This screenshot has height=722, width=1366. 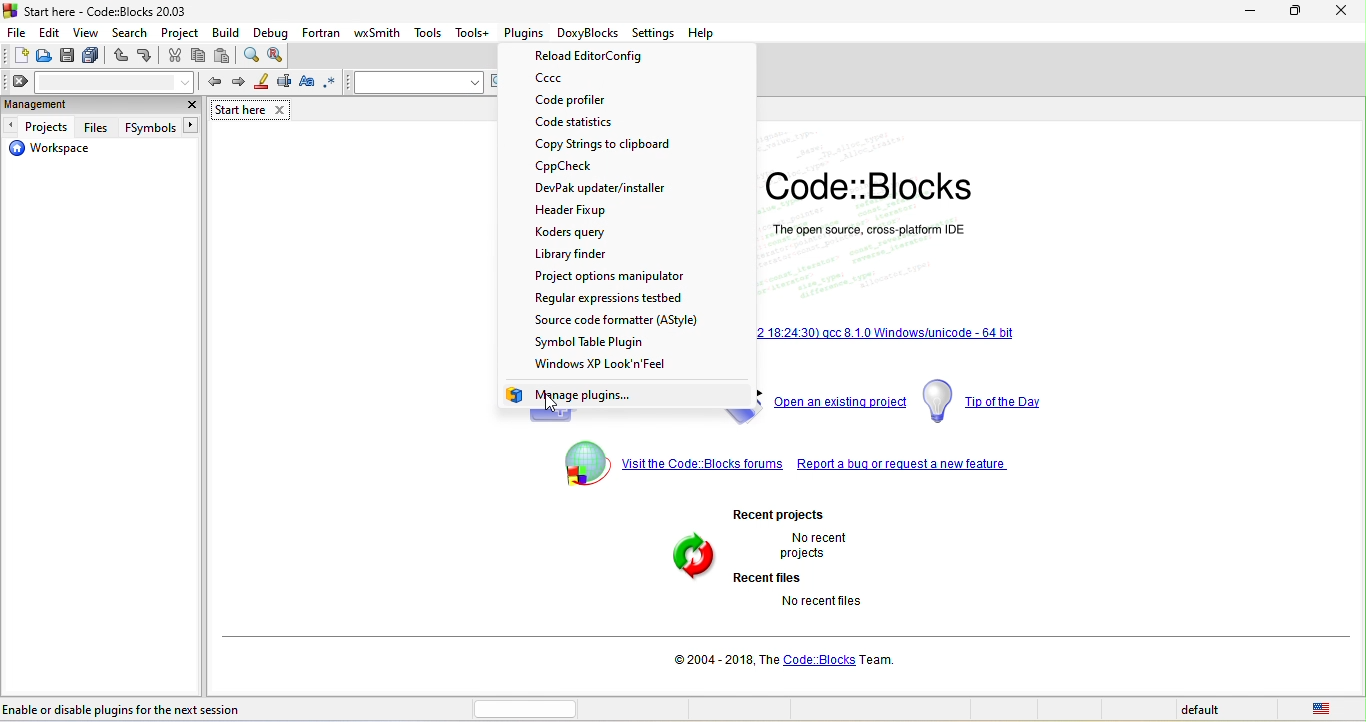 I want to click on visit the code-blocks forums report a bug or request a new feature, so click(x=796, y=467).